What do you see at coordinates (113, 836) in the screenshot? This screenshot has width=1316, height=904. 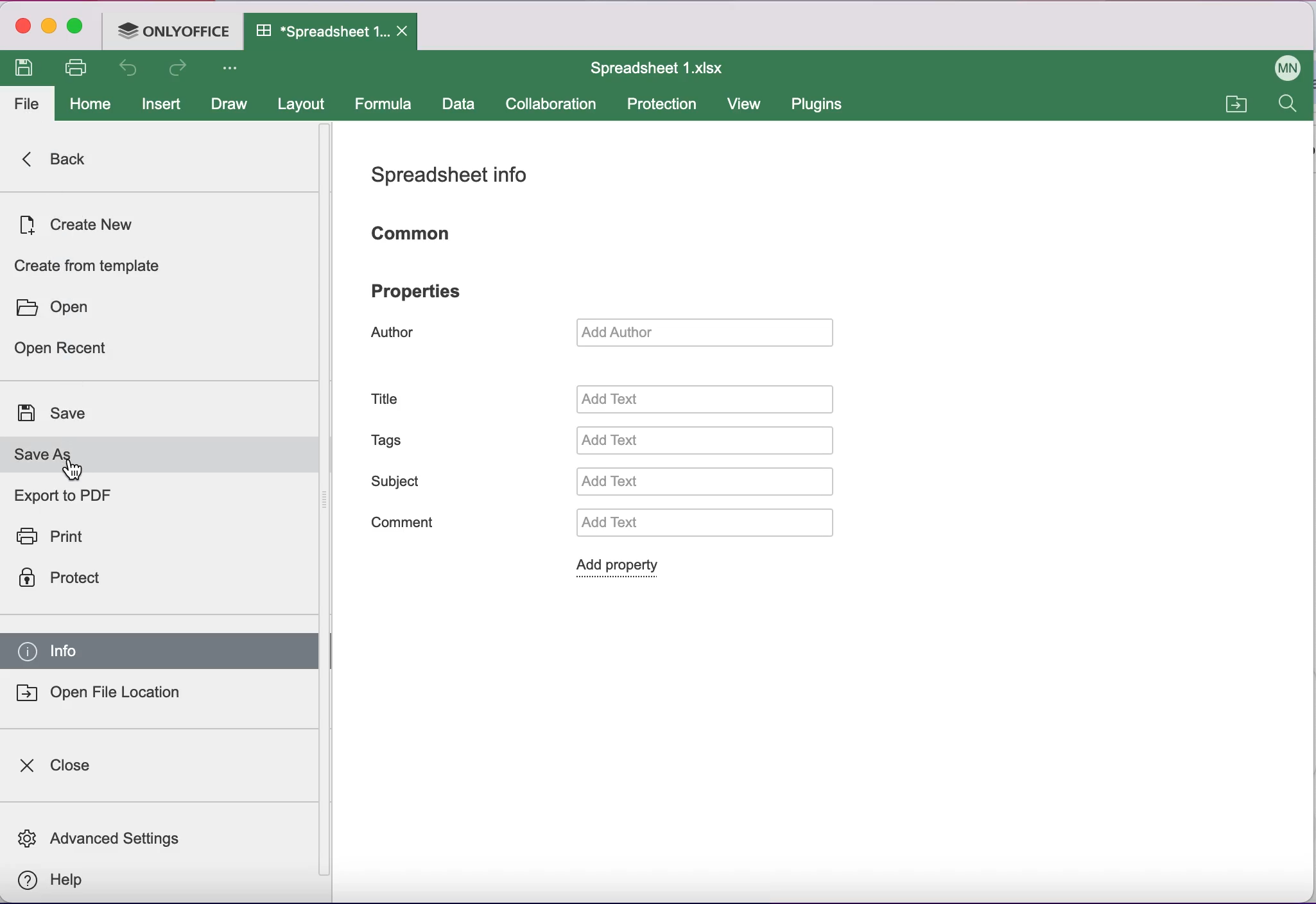 I see `advanced settings` at bounding box center [113, 836].